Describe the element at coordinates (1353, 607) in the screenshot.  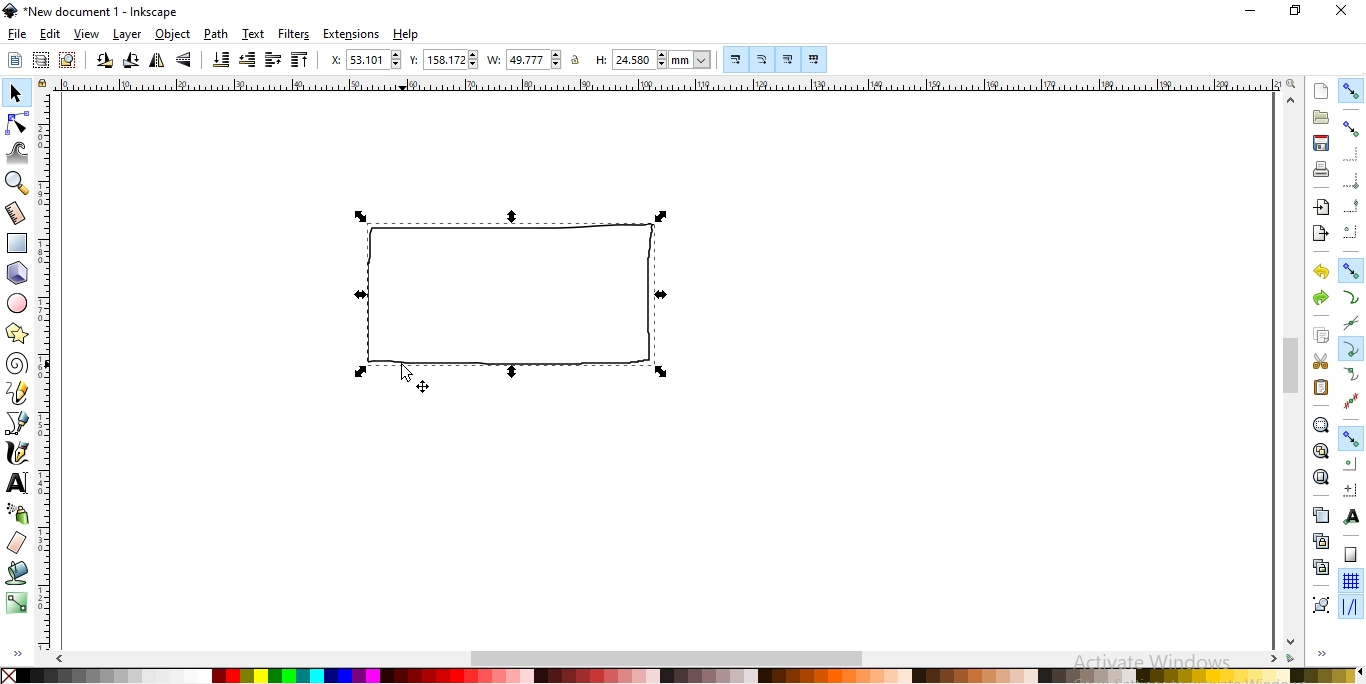
I see `snap guide` at that location.